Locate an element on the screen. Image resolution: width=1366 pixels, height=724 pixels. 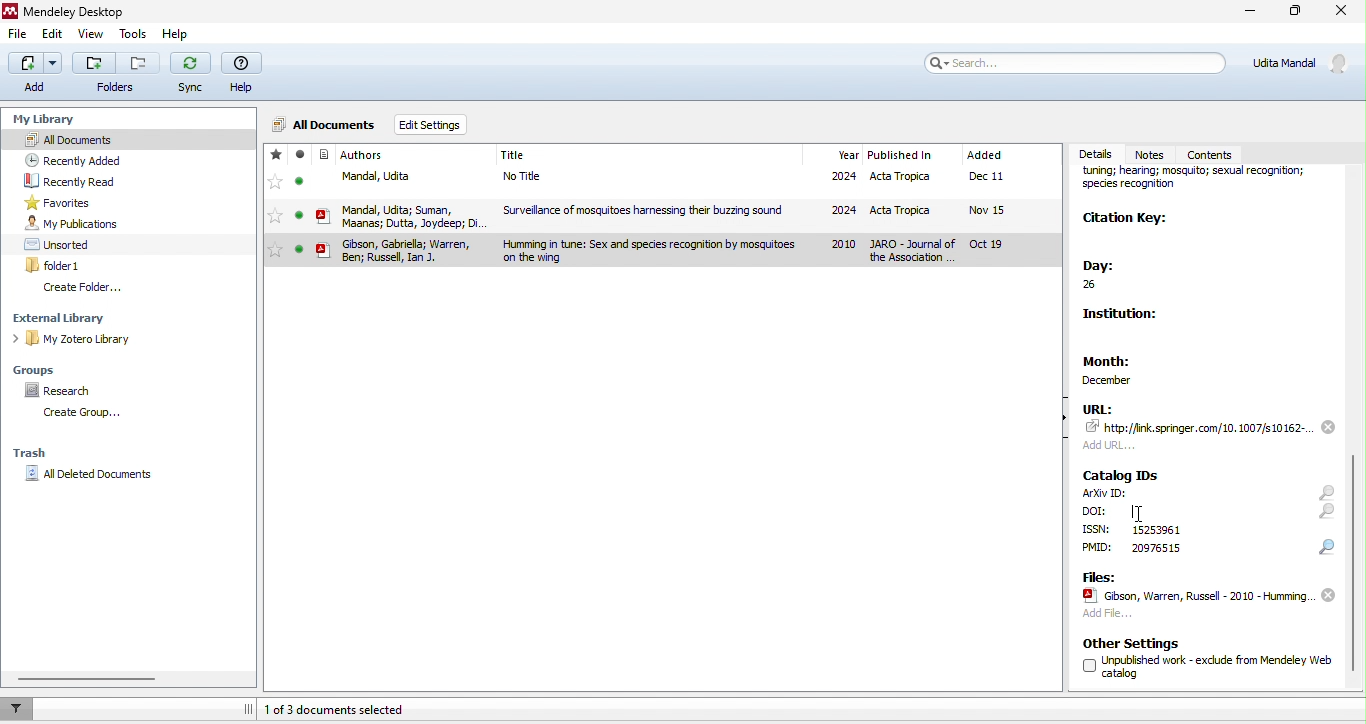
day:26 is located at coordinates (1110, 276).